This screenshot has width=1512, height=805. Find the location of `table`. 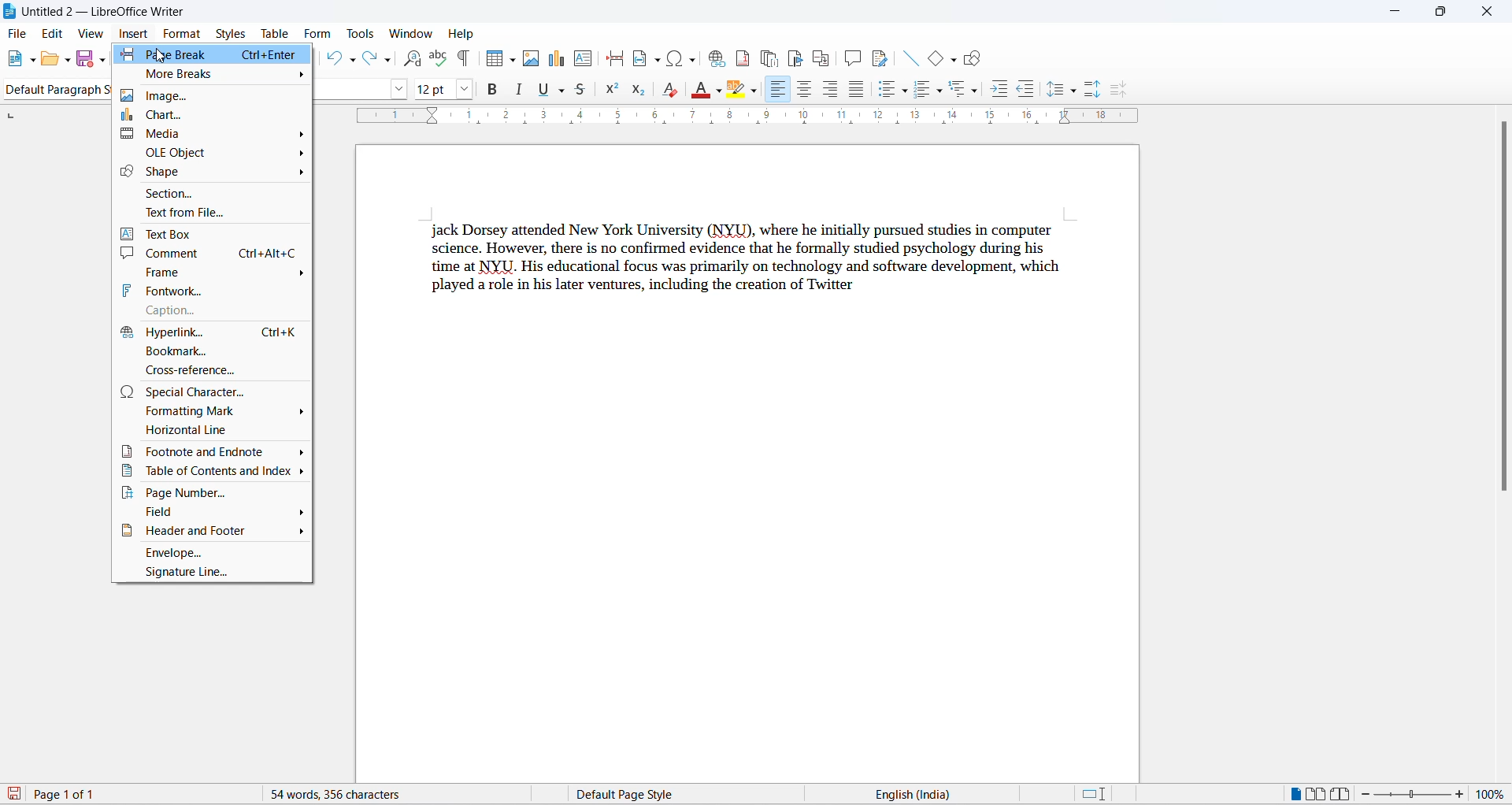

table is located at coordinates (277, 32).